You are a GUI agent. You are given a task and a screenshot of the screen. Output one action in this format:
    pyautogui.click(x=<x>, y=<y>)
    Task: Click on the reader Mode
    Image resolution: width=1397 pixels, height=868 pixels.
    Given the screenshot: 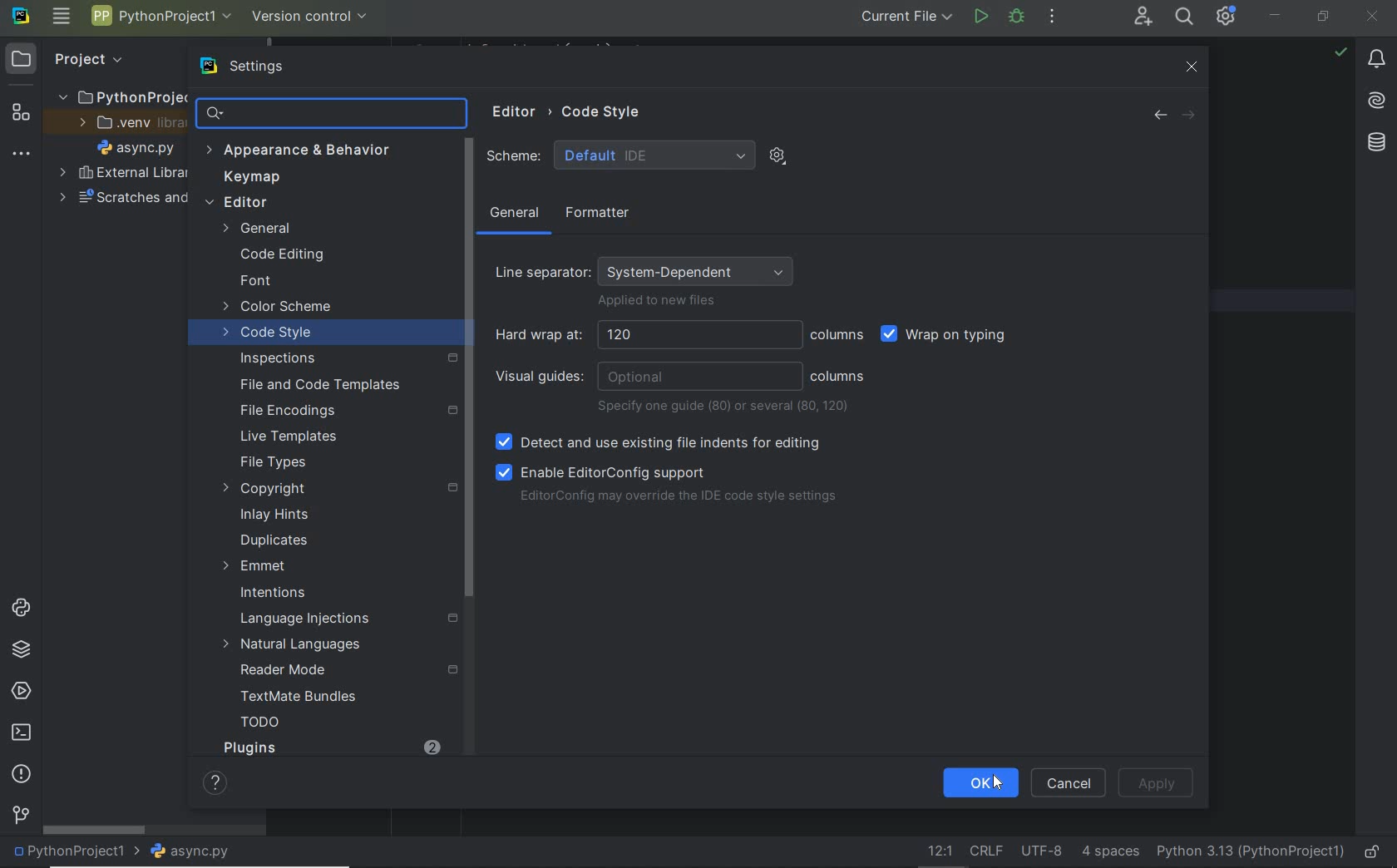 What is the action you would take?
    pyautogui.click(x=337, y=671)
    